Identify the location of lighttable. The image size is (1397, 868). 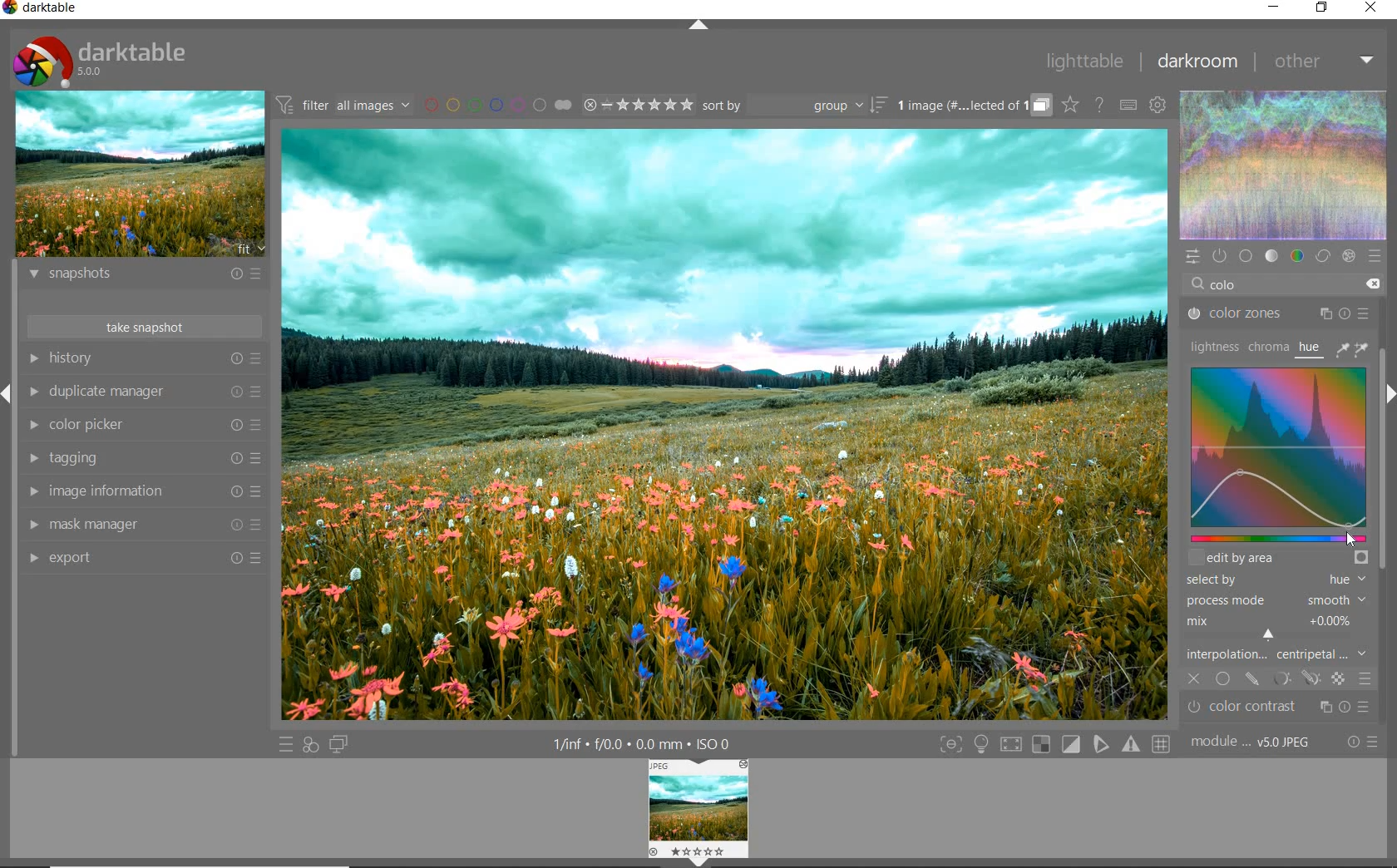
(1084, 62).